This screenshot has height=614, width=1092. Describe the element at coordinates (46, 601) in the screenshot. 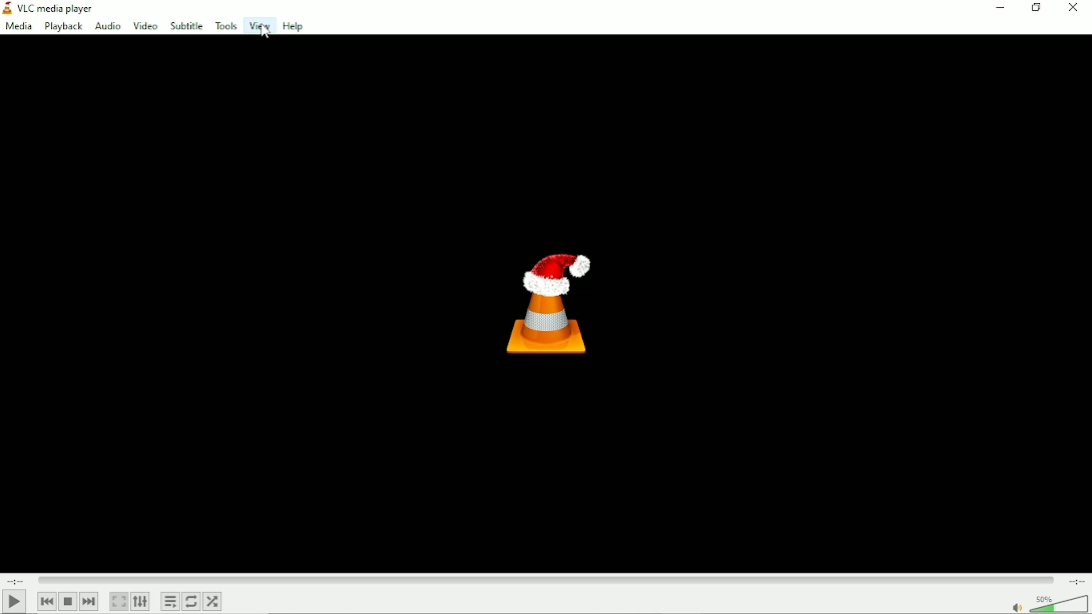

I see `Previous` at that location.